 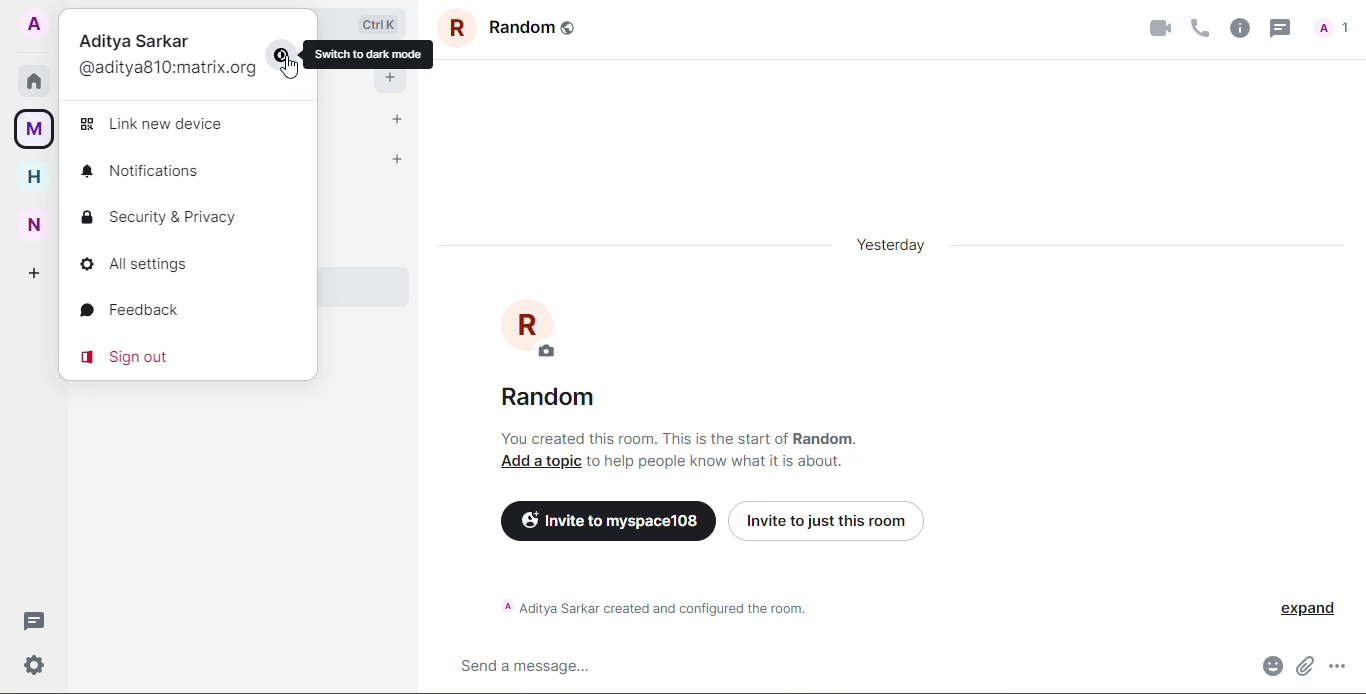 What do you see at coordinates (37, 129) in the screenshot?
I see `myspace` at bounding box center [37, 129].